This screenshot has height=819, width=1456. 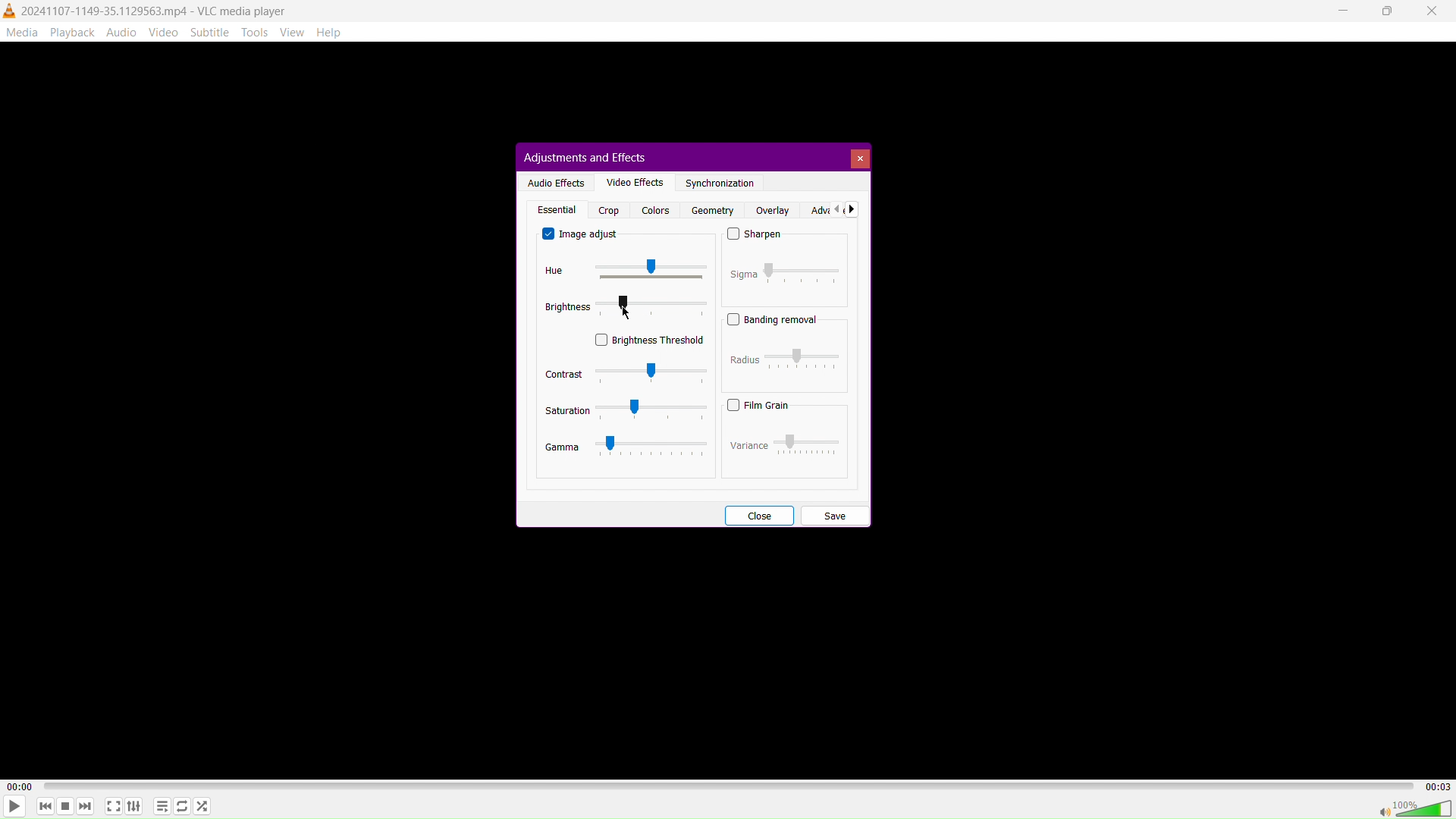 What do you see at coordinates (730, 784) in the screenshot?
I see `TImeline` at bounding box center [730, 784].